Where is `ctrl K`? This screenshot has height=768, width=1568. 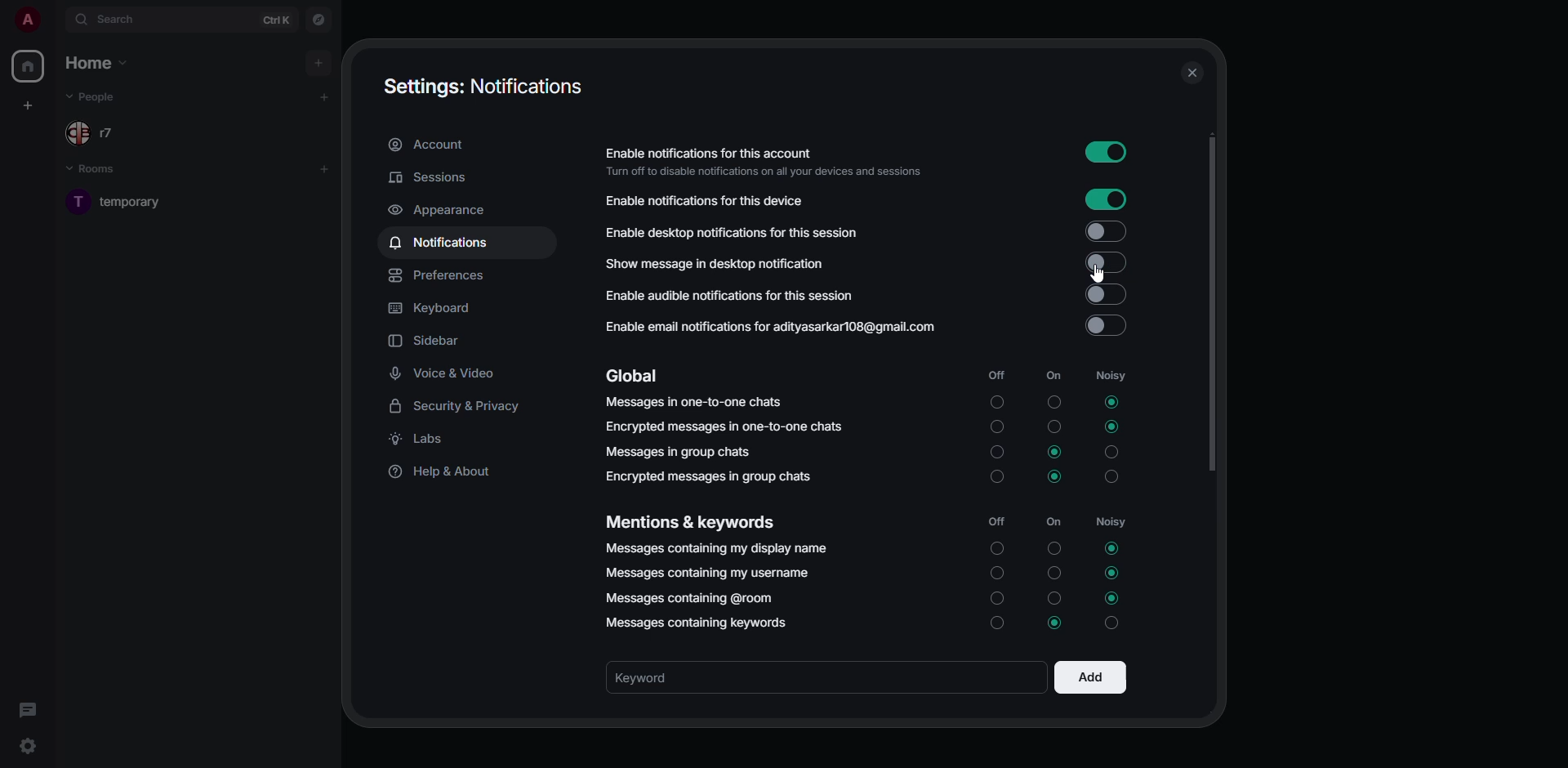 ctrl K is located at coordinates (277, 20).